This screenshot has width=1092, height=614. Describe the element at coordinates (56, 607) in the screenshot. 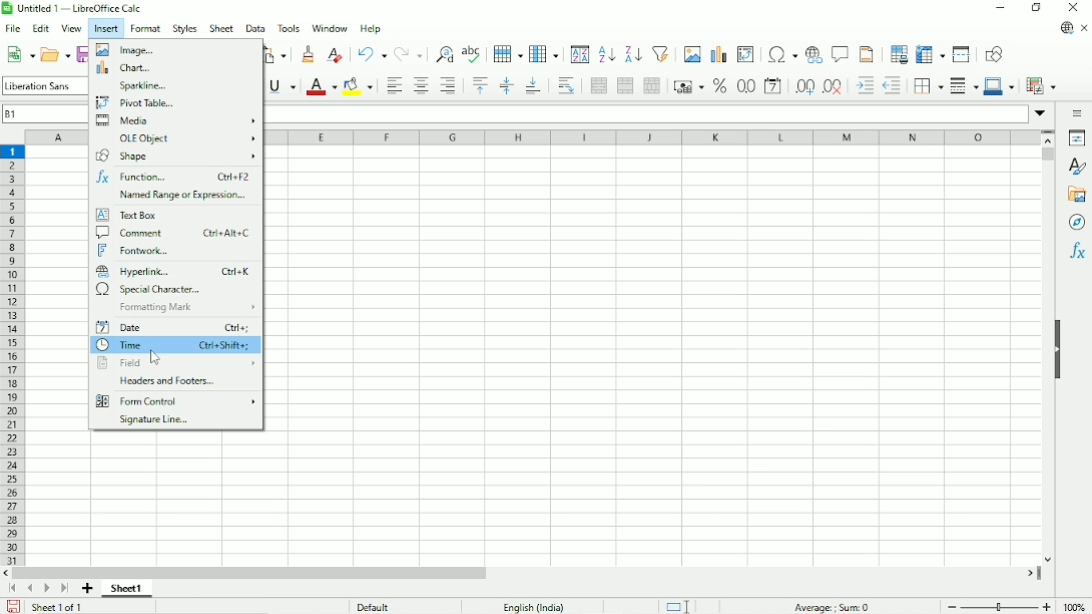

I see `Sheet 1 of 1` at that location.